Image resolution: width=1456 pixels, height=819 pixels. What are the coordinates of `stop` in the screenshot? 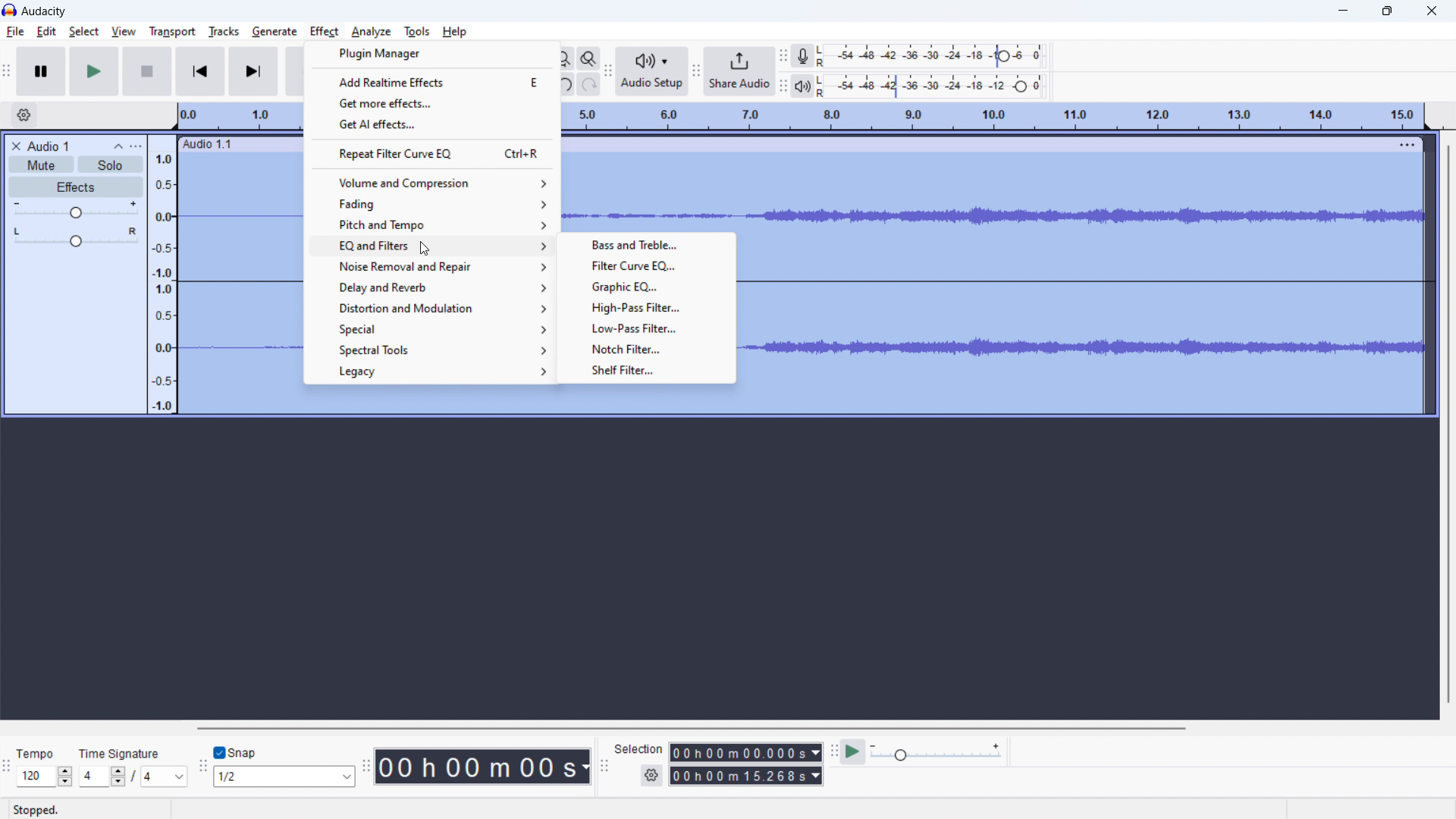 It's located at (148, 71).